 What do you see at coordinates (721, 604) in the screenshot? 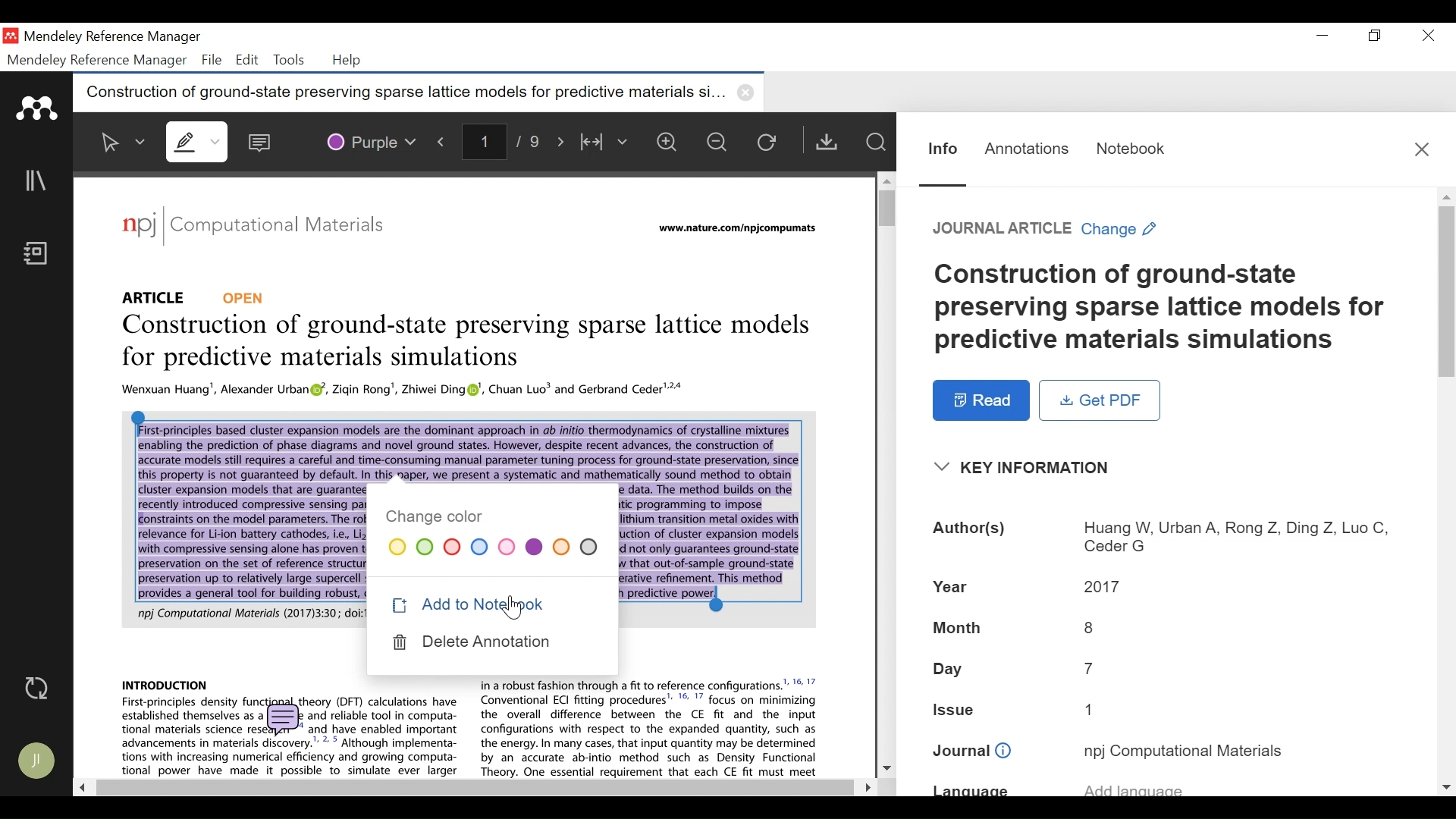
I see `Insertion cursor` at bounding box center [721, 604].